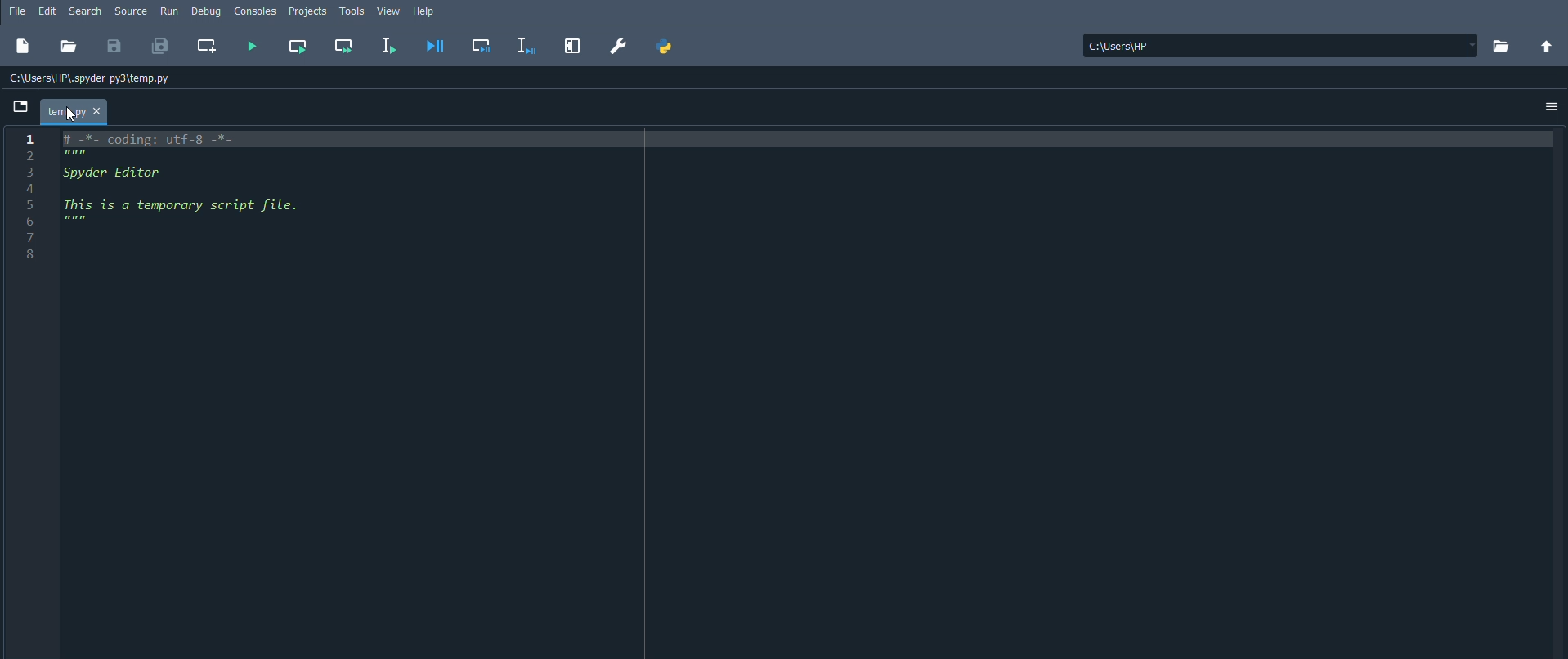 Image resolution: width=1568 pixels, height=659 pixels. I want to click on Change to working directory, so click(1547, 46).